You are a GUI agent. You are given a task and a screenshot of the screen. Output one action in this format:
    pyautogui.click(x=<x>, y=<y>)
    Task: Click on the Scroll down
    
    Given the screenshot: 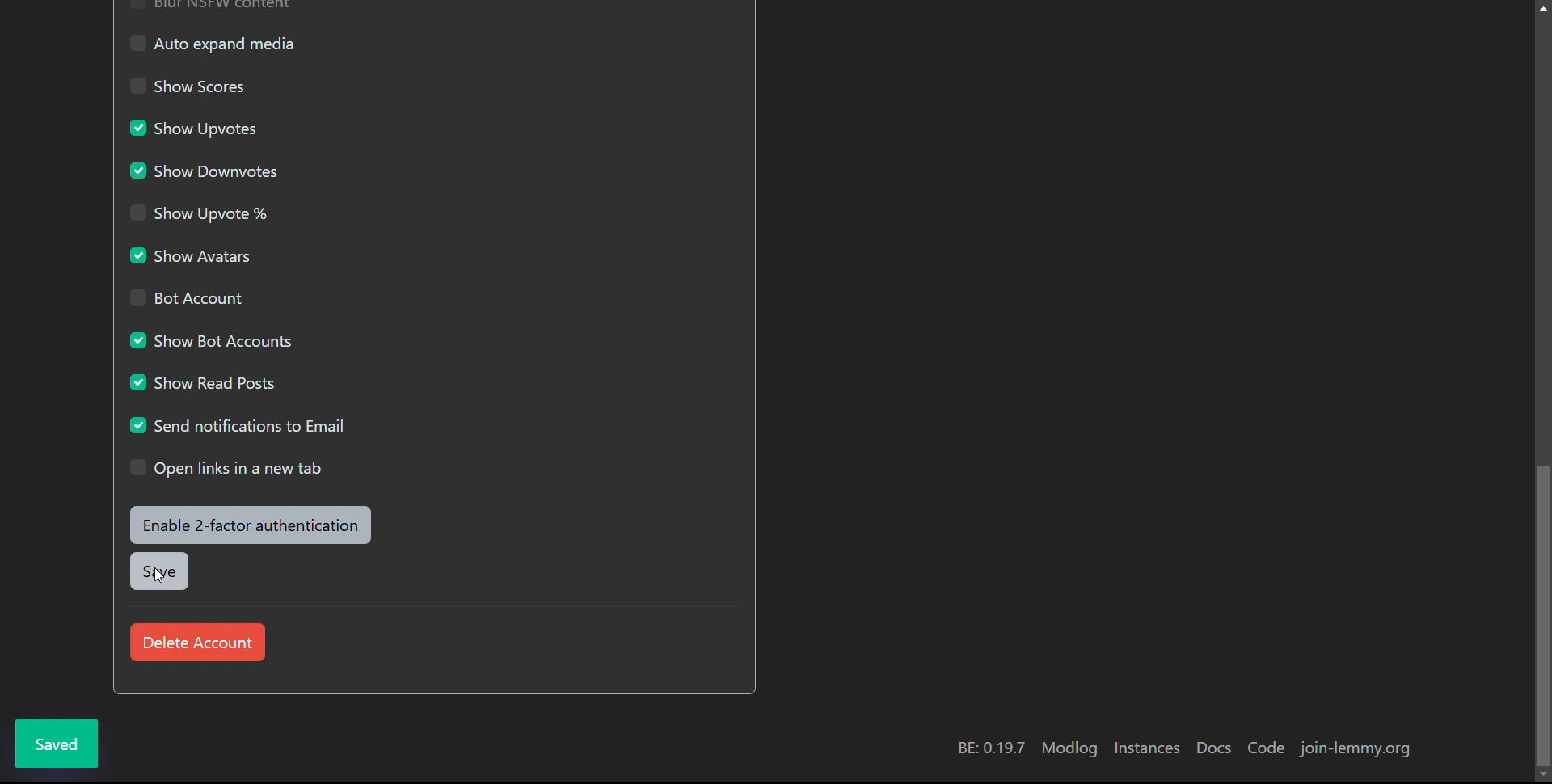 What is the action you would take?
    pyautogui.click(x=1542, y=776)
    